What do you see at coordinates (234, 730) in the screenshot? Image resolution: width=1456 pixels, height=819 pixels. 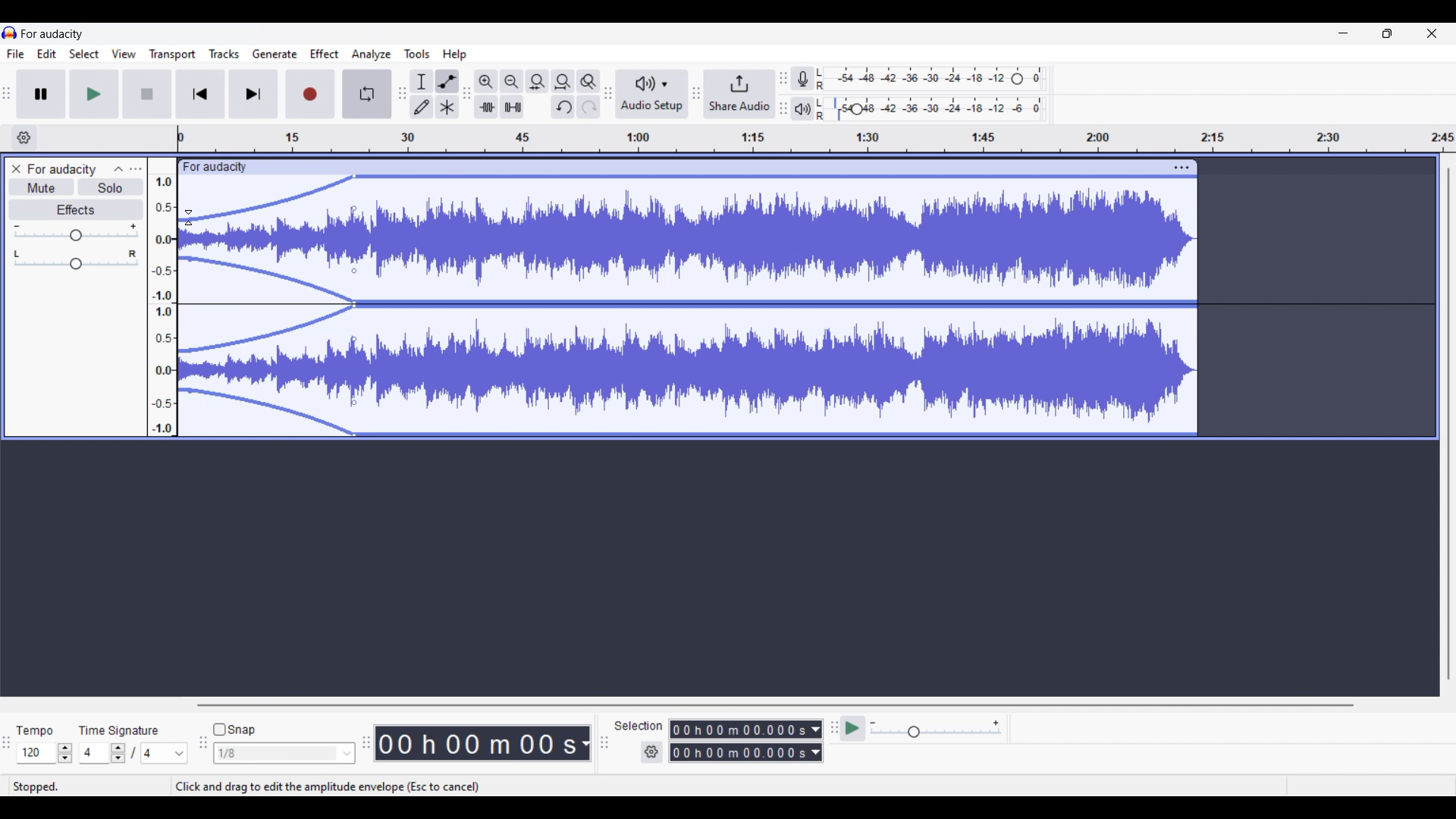 I see `Snap toggle` at bounding box center [234, 730].